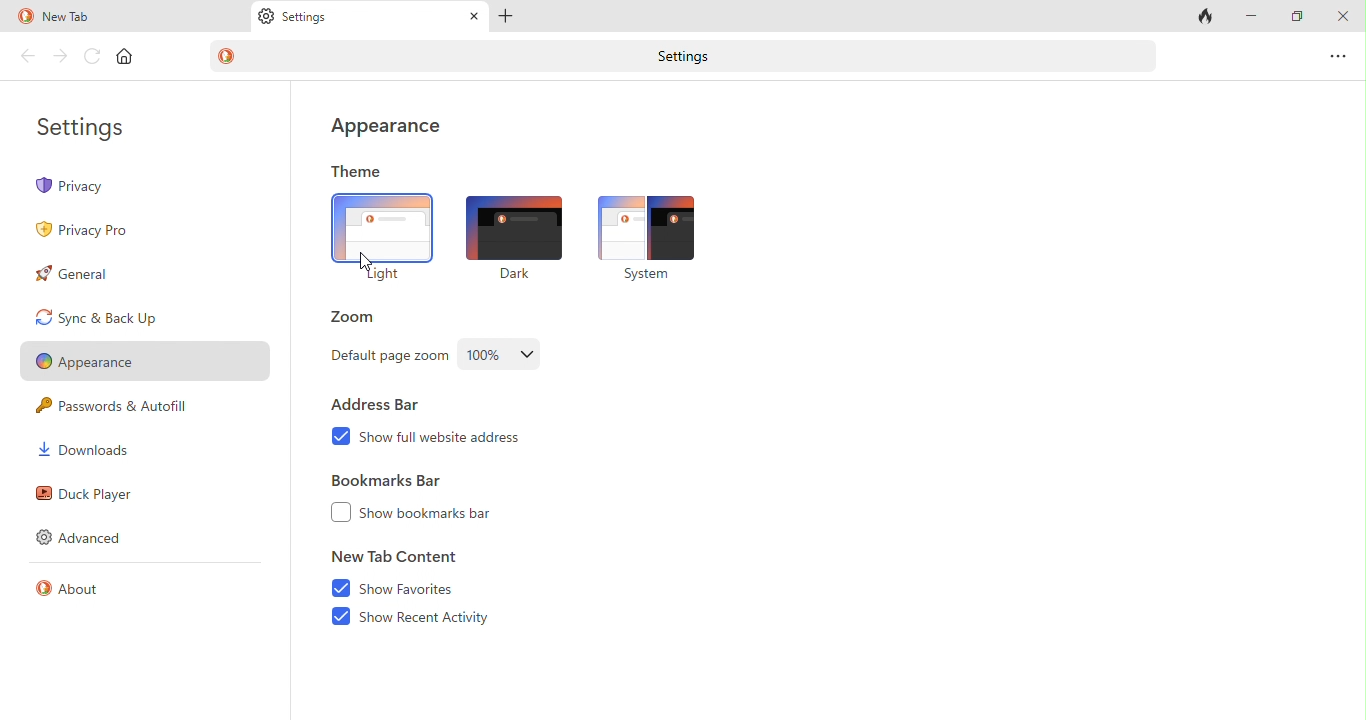 The height and width of the screenshot is (720, 1366). What do you see at coordinates (1342, 15) in the screenshot?
I see `close` at bounding box center [1342, 15].